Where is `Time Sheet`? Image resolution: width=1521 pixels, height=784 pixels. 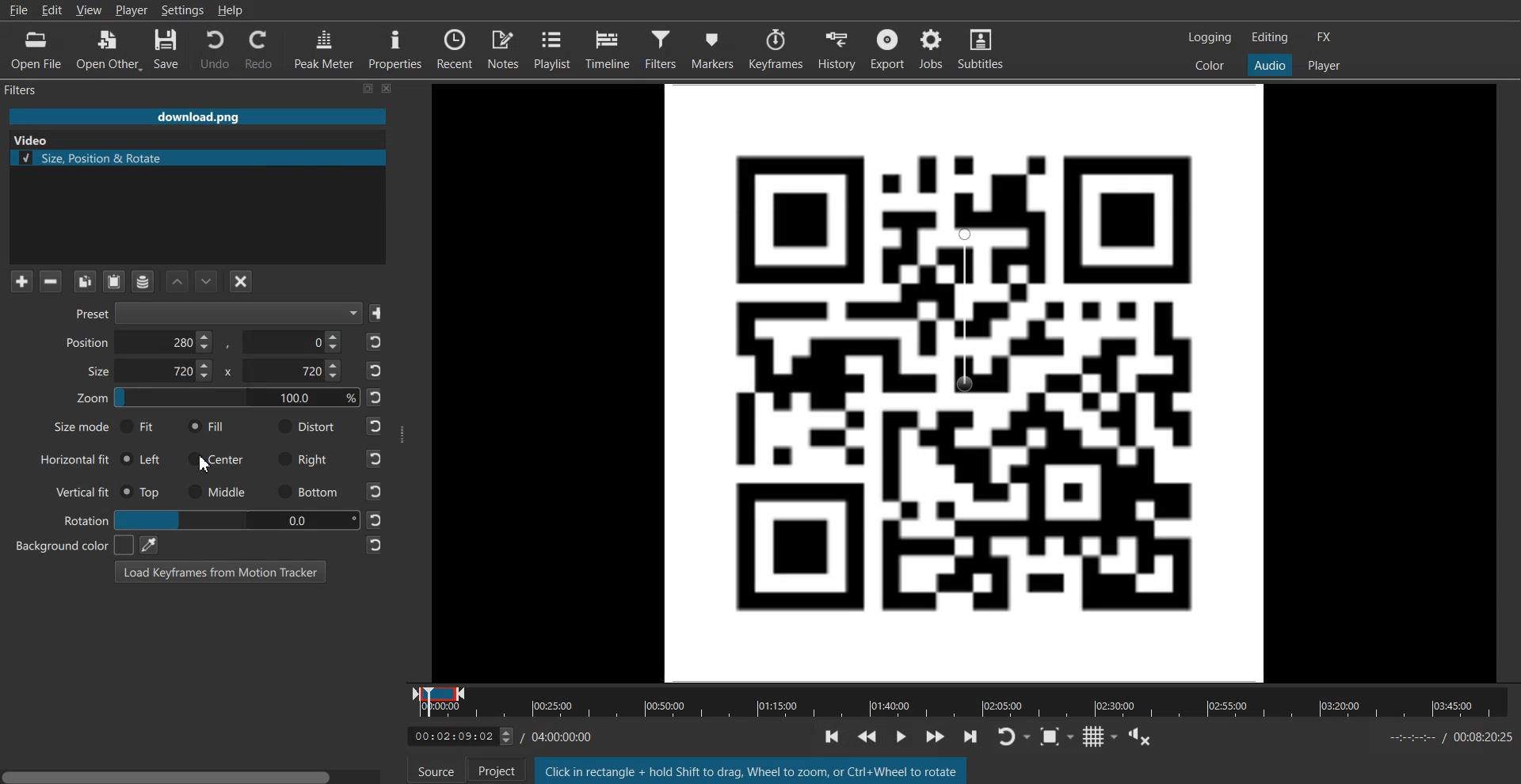
Time Sheet is located at coordinates (1450, 737).